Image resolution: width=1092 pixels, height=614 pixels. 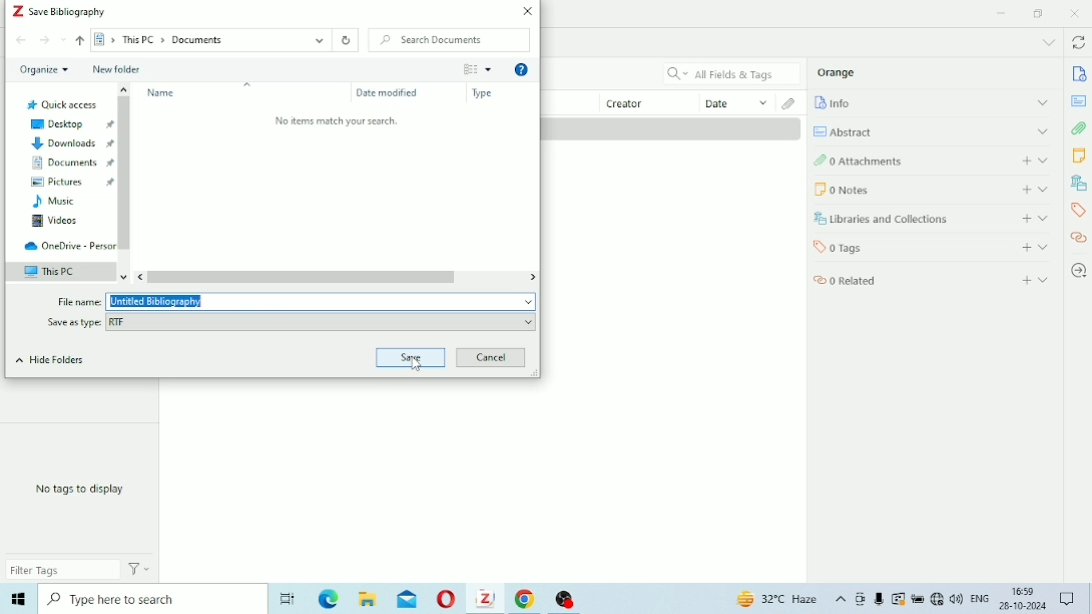 I want to click on Up to "This PC", so click(x=81, y=40).